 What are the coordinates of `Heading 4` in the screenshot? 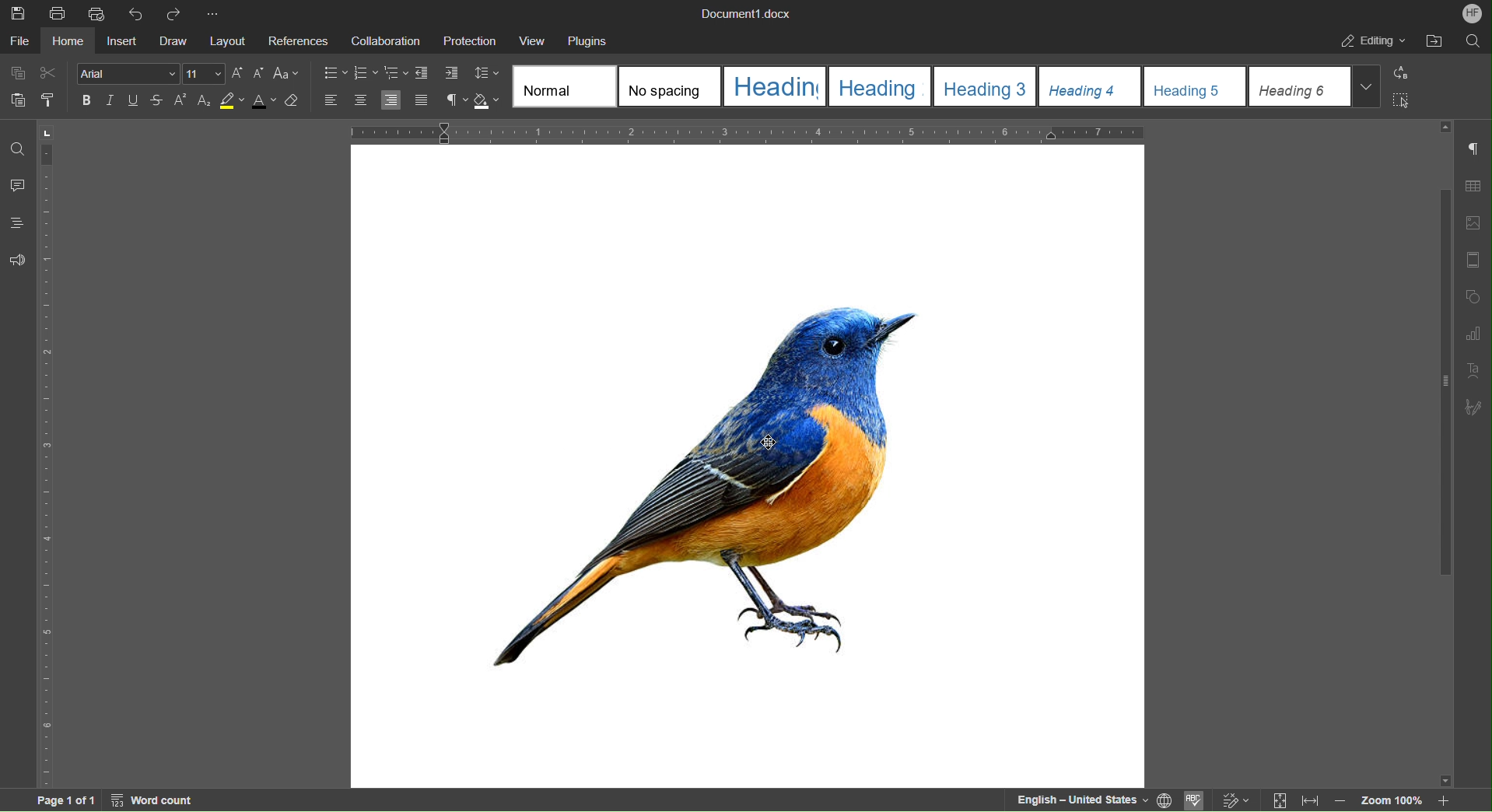 It's located at (1090, 86).